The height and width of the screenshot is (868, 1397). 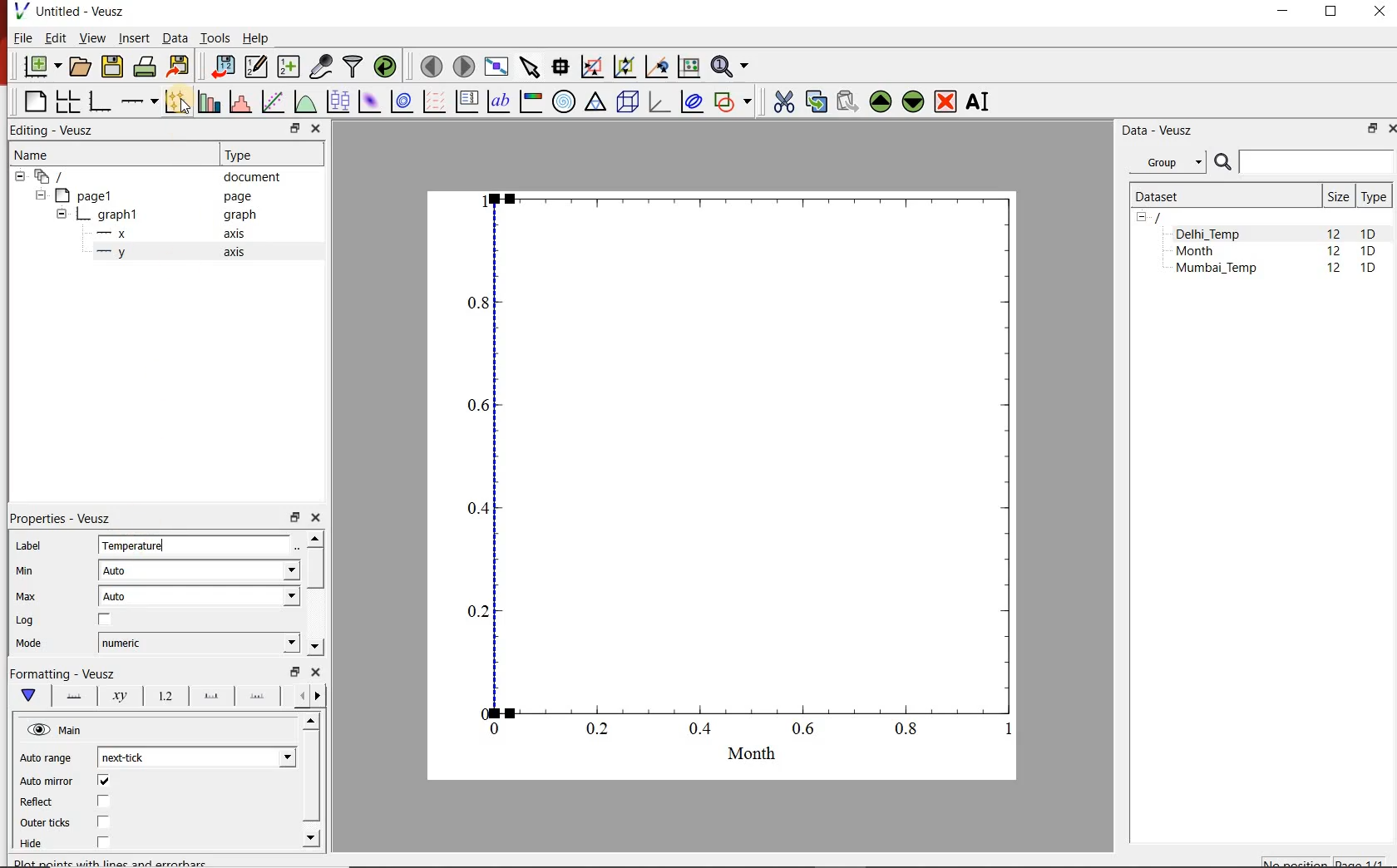 What do you see at coordinates (314, 130) in the screenshot?
I see `close` at bounding box center [314, 130].